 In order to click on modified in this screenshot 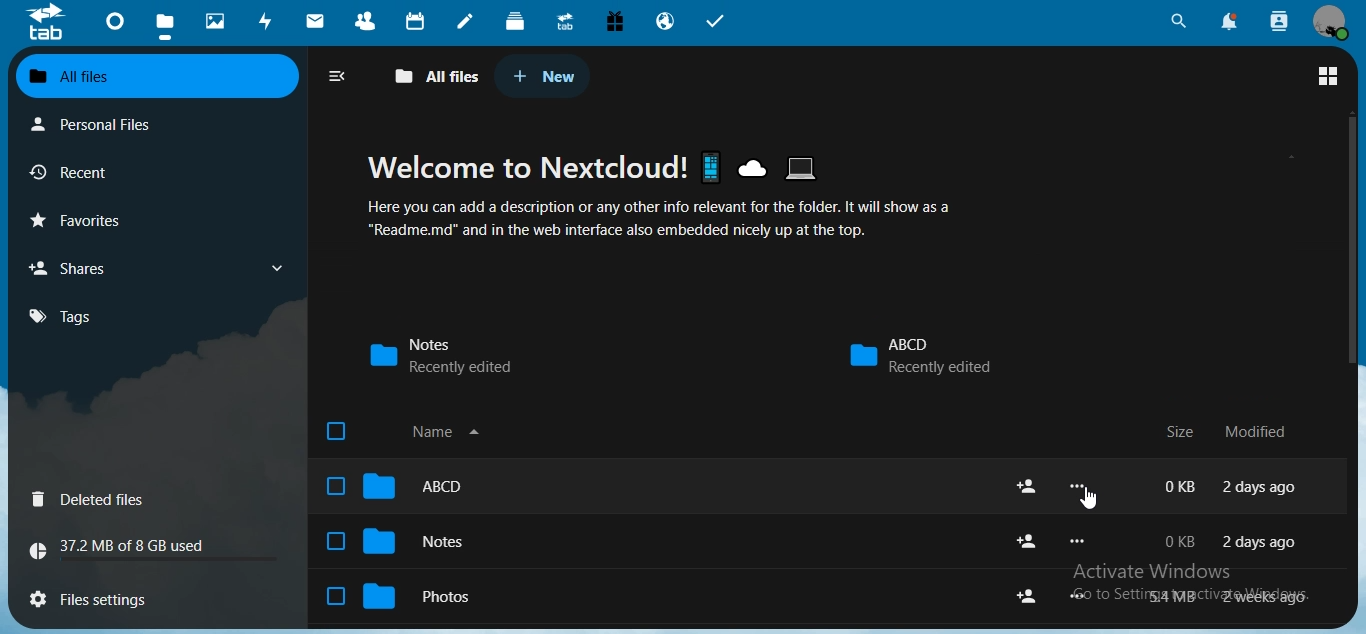, I will do `click(1264, 431)`.